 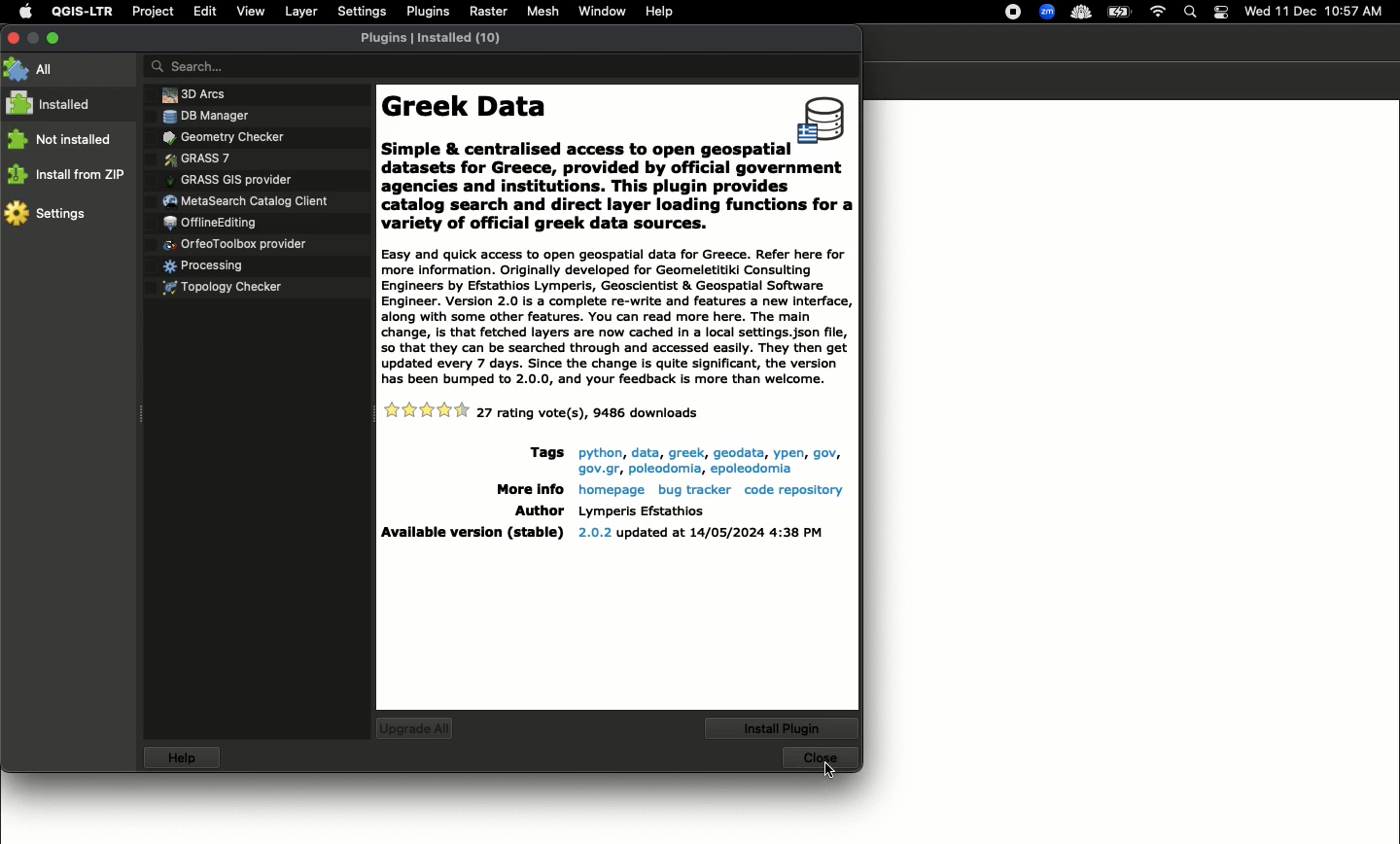 What do you see at coordinates (1315, 11) in the screenshot?
I see `Date time` at bounding box center [1315, 11].